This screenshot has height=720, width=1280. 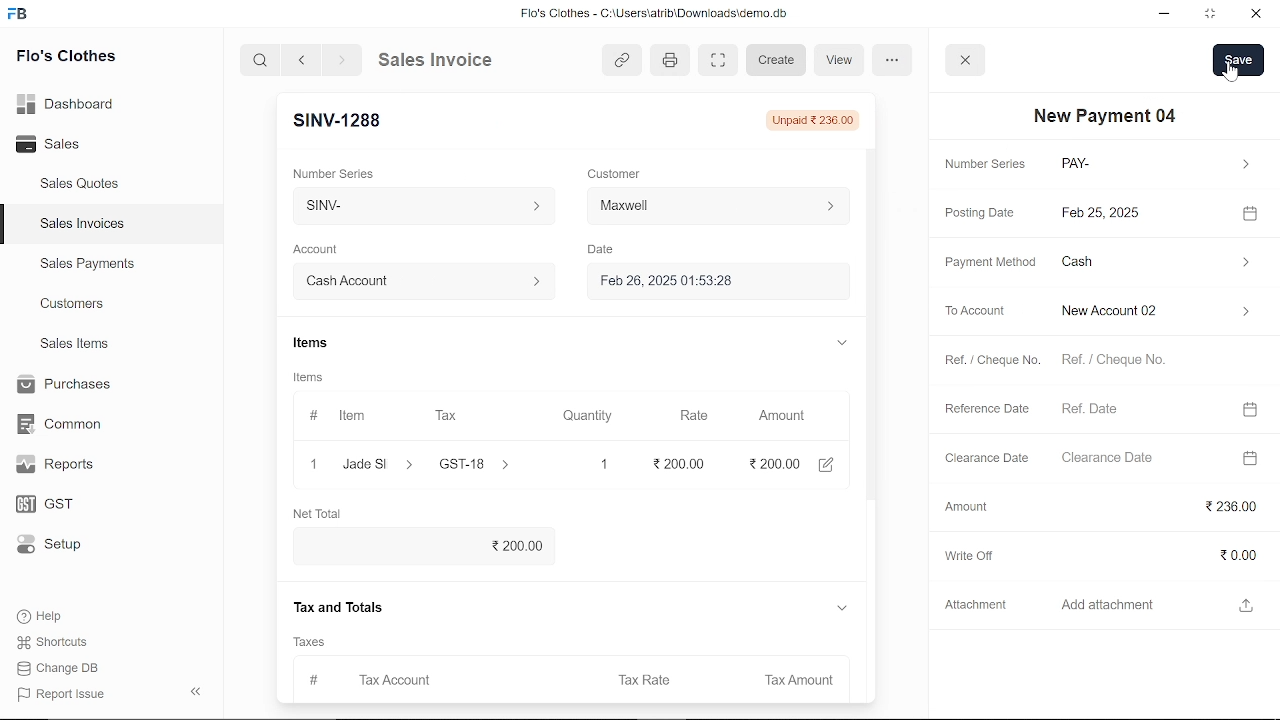 I want to click on close, so click(x=1254, y=15).